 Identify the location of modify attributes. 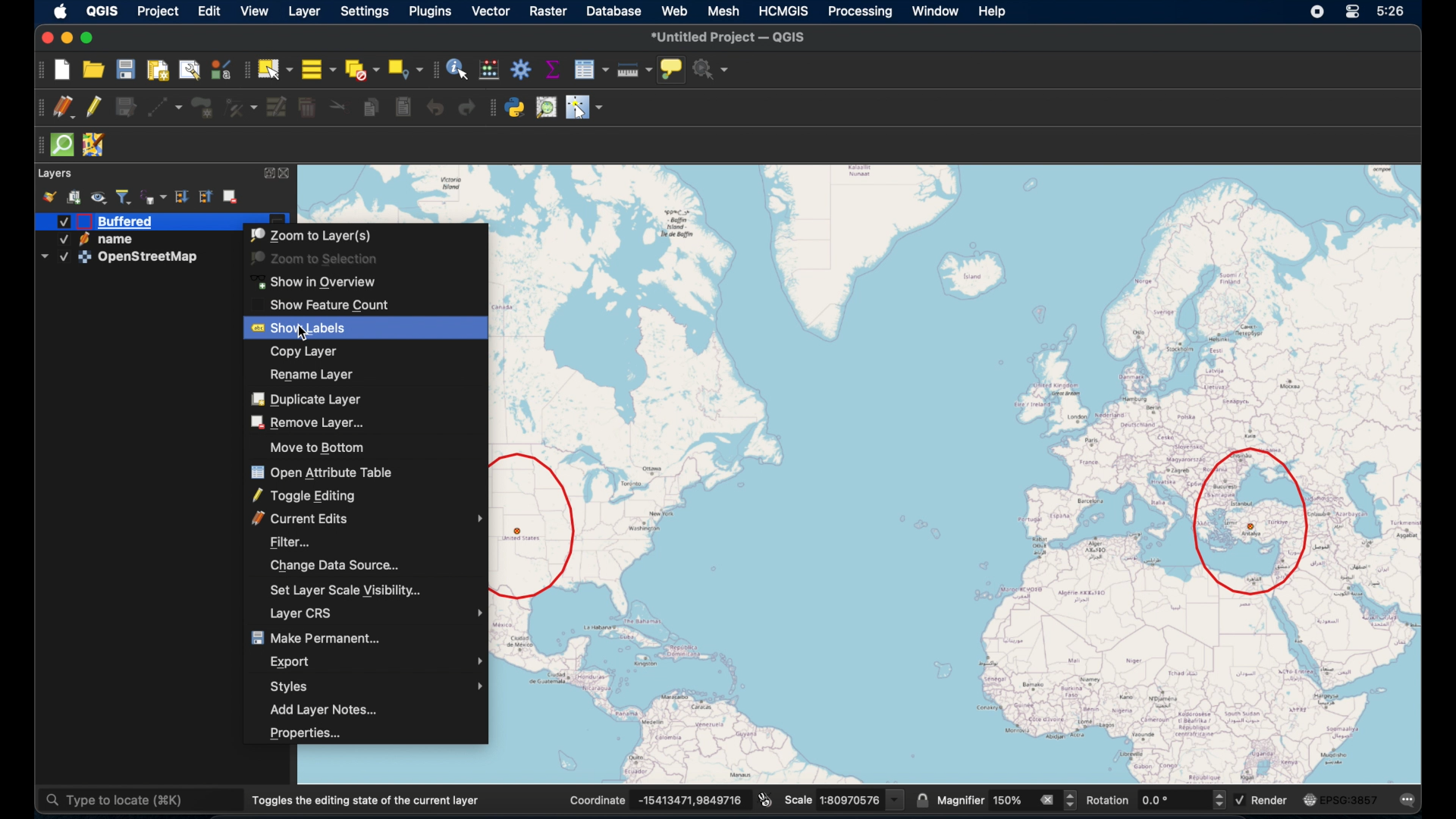
(276, 105).